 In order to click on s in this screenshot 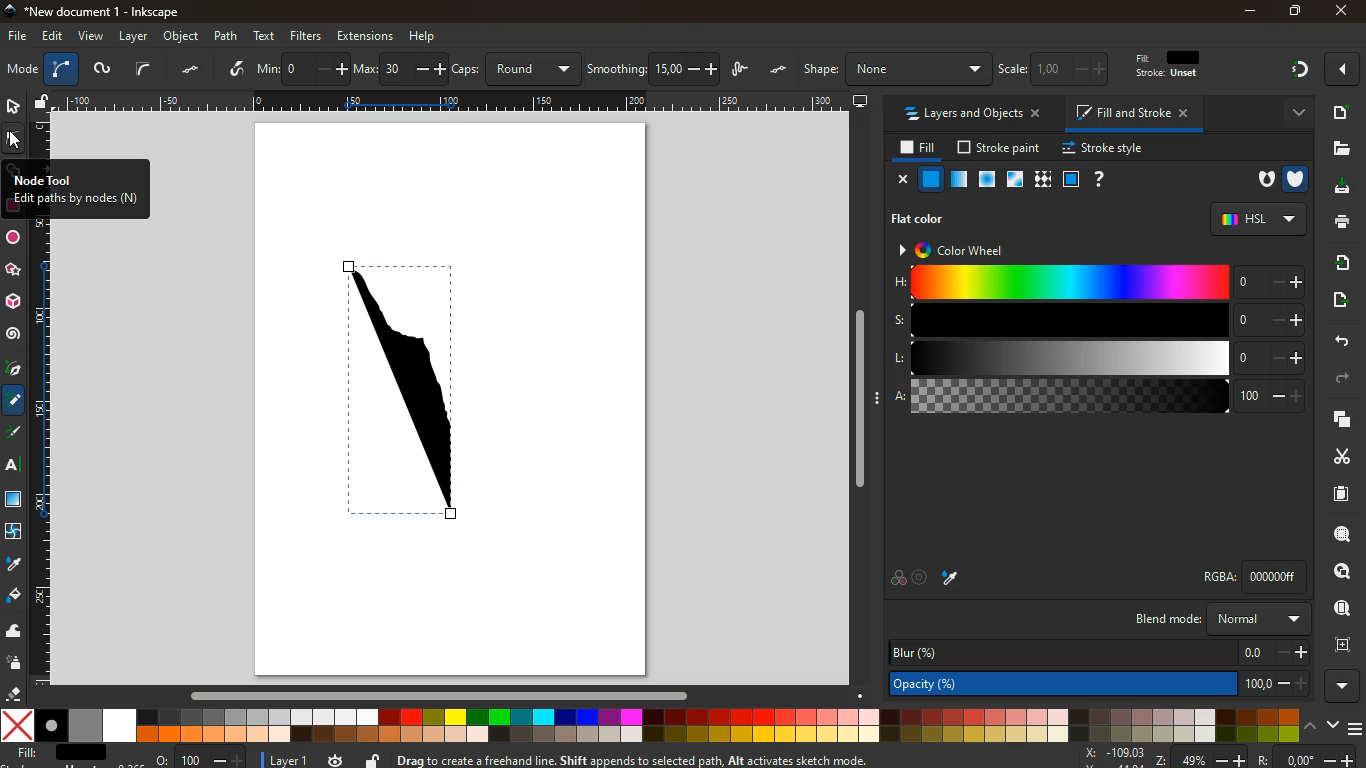, I will do `click(1096, 320)`.